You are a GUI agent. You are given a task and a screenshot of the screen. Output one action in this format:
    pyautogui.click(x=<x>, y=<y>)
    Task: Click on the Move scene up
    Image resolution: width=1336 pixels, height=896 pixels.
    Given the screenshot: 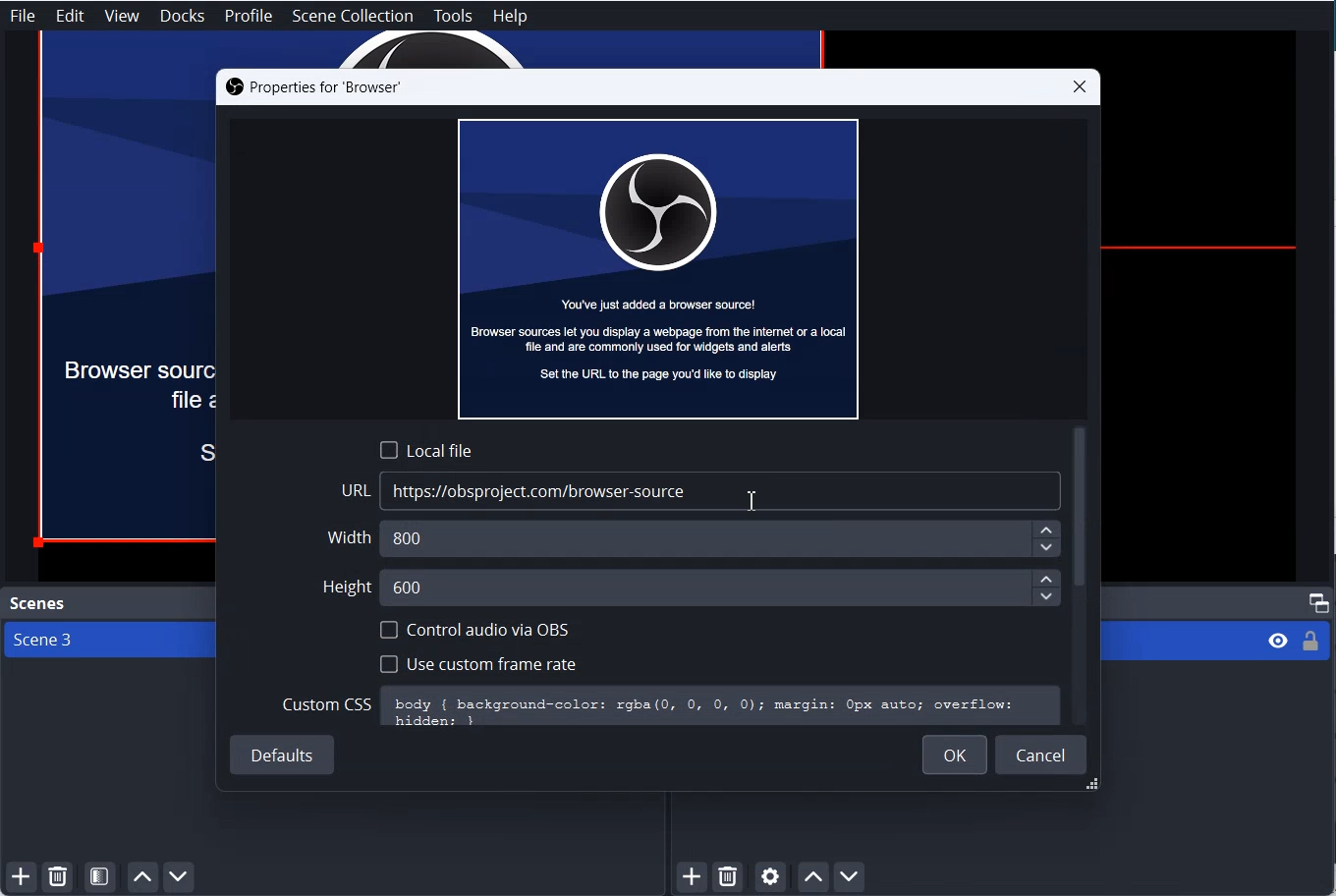 What is the action you would take?
    pyautogui.click(x=141, y=877)
    